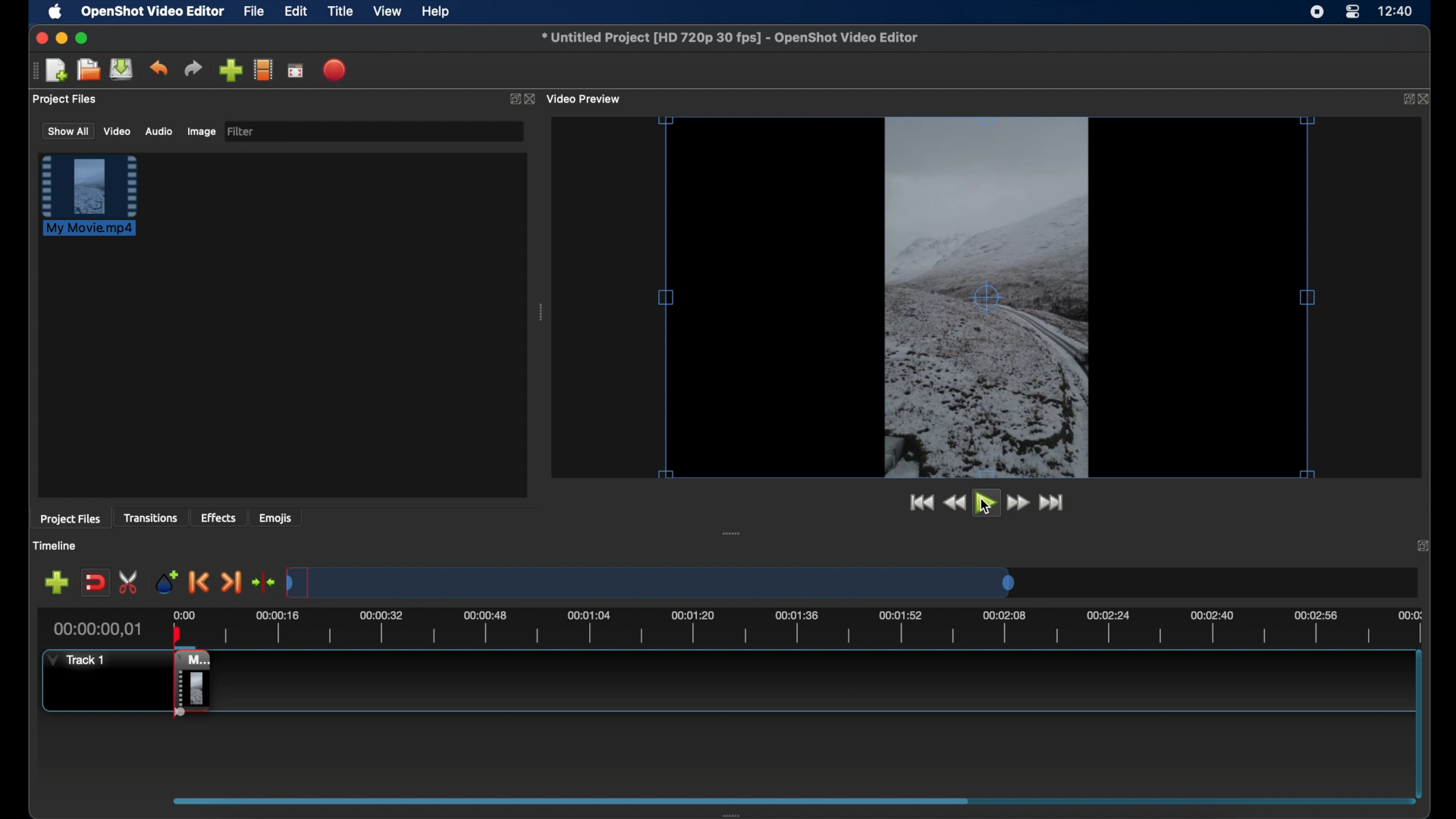  What do you see at coordinates (74, 660) in the screenshot?
I see `track 1` at bounding box center [74, 660].